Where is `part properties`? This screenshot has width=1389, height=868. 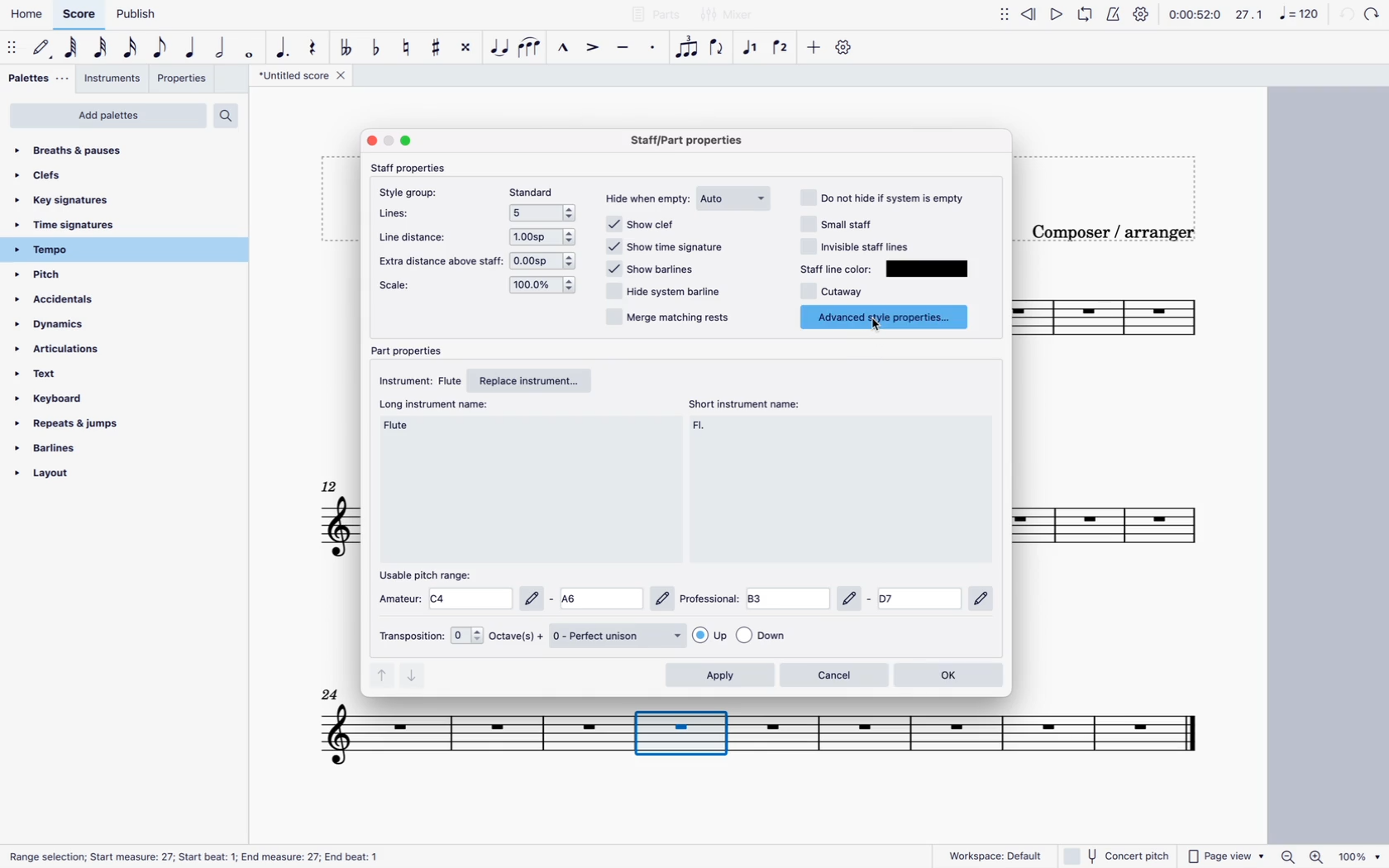
part properties is located at coordinates (412, 347).